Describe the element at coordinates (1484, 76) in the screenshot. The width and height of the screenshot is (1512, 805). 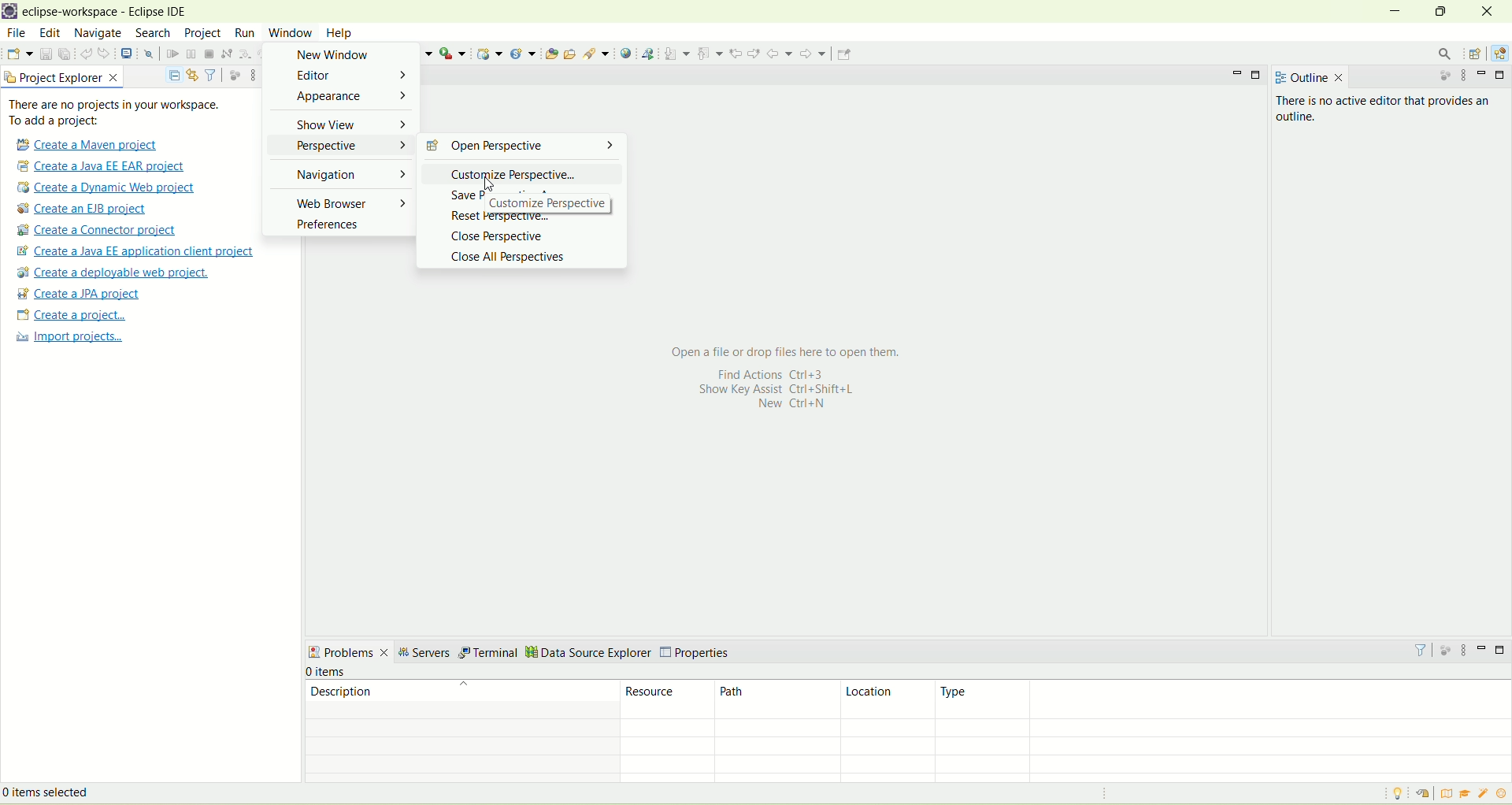
I see `minimize` at that location.